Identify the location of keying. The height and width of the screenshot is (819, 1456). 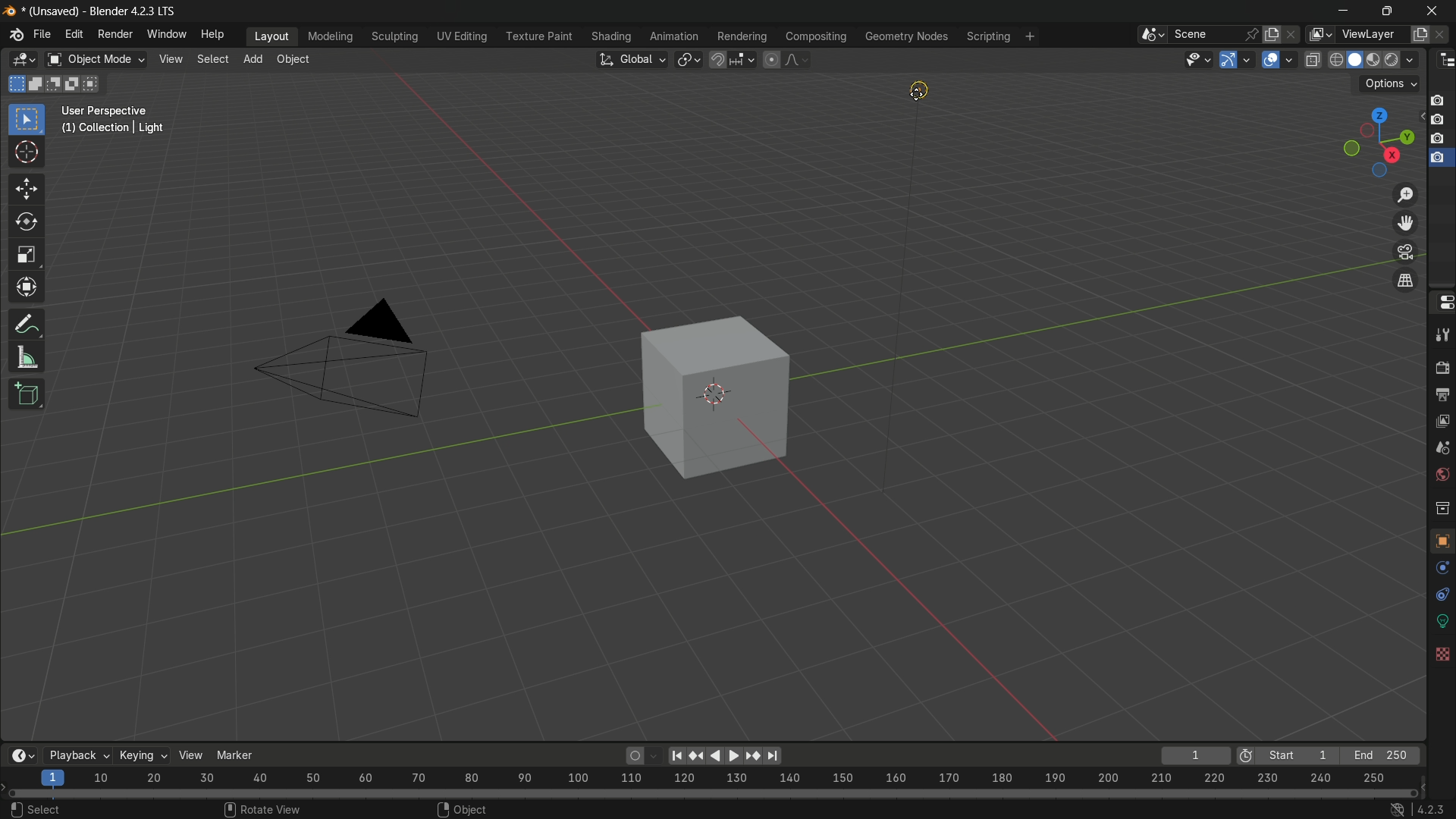
(142, 757).